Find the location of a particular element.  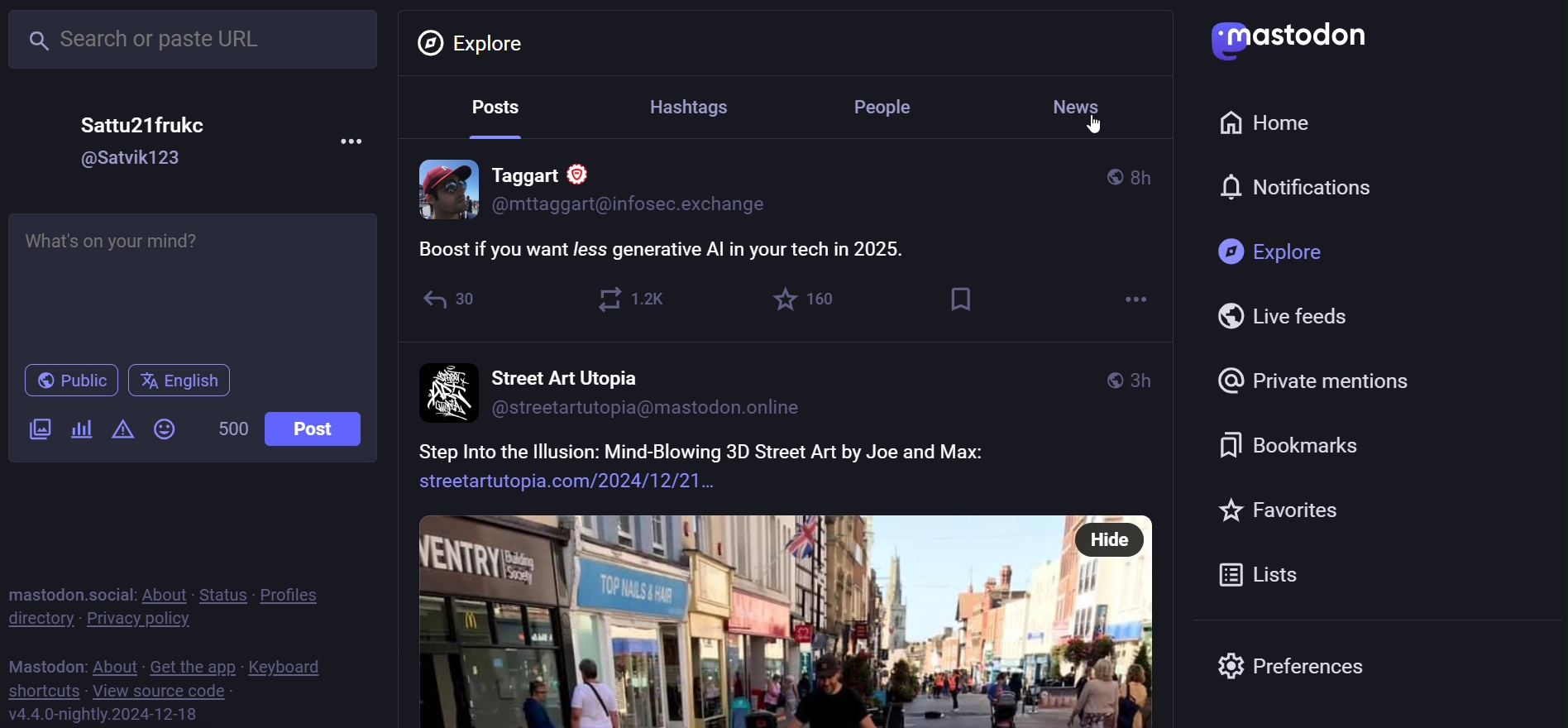

privacy policy is located at coordinates (135, 620).